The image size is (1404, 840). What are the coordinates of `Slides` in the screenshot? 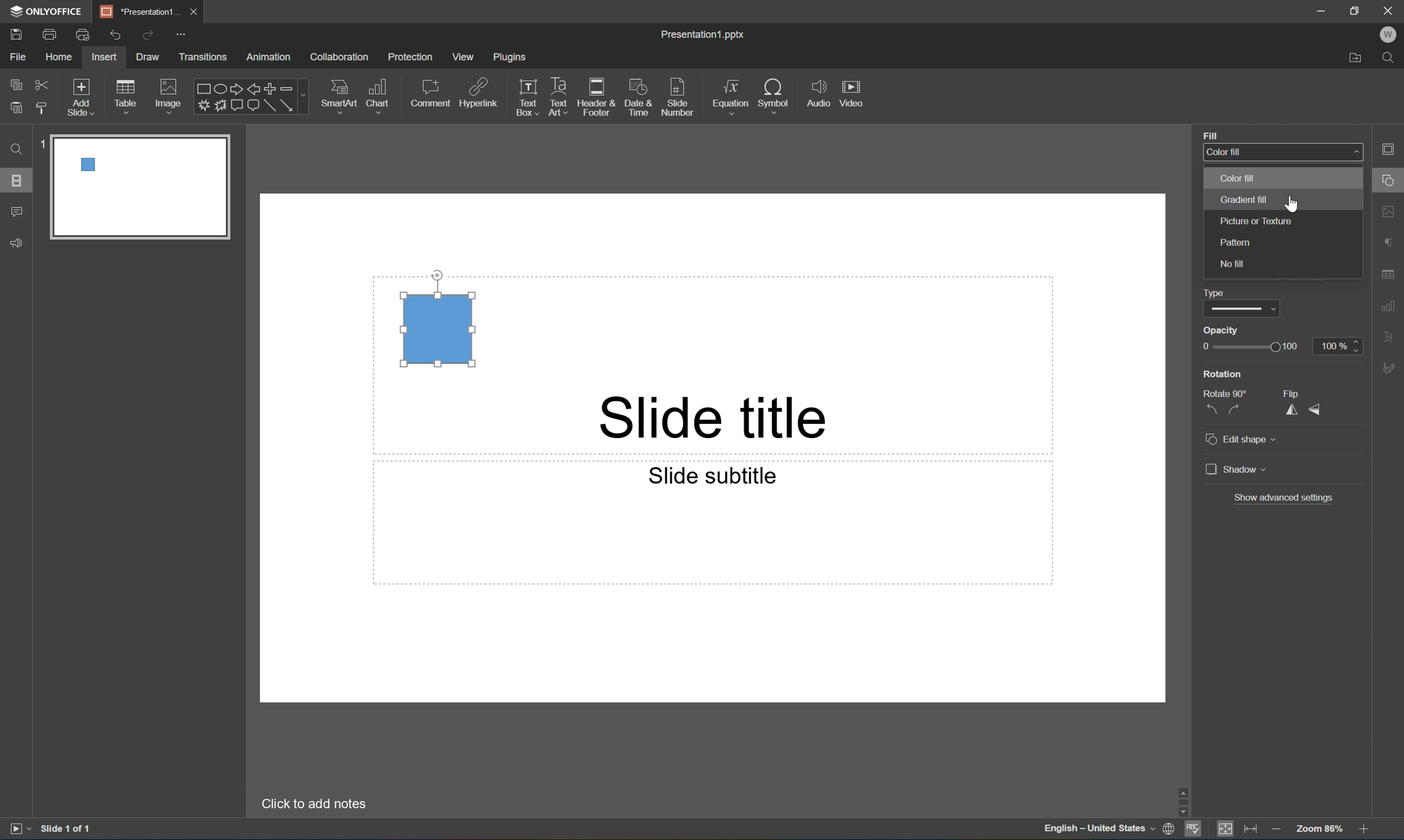 It's located at (16, 179).